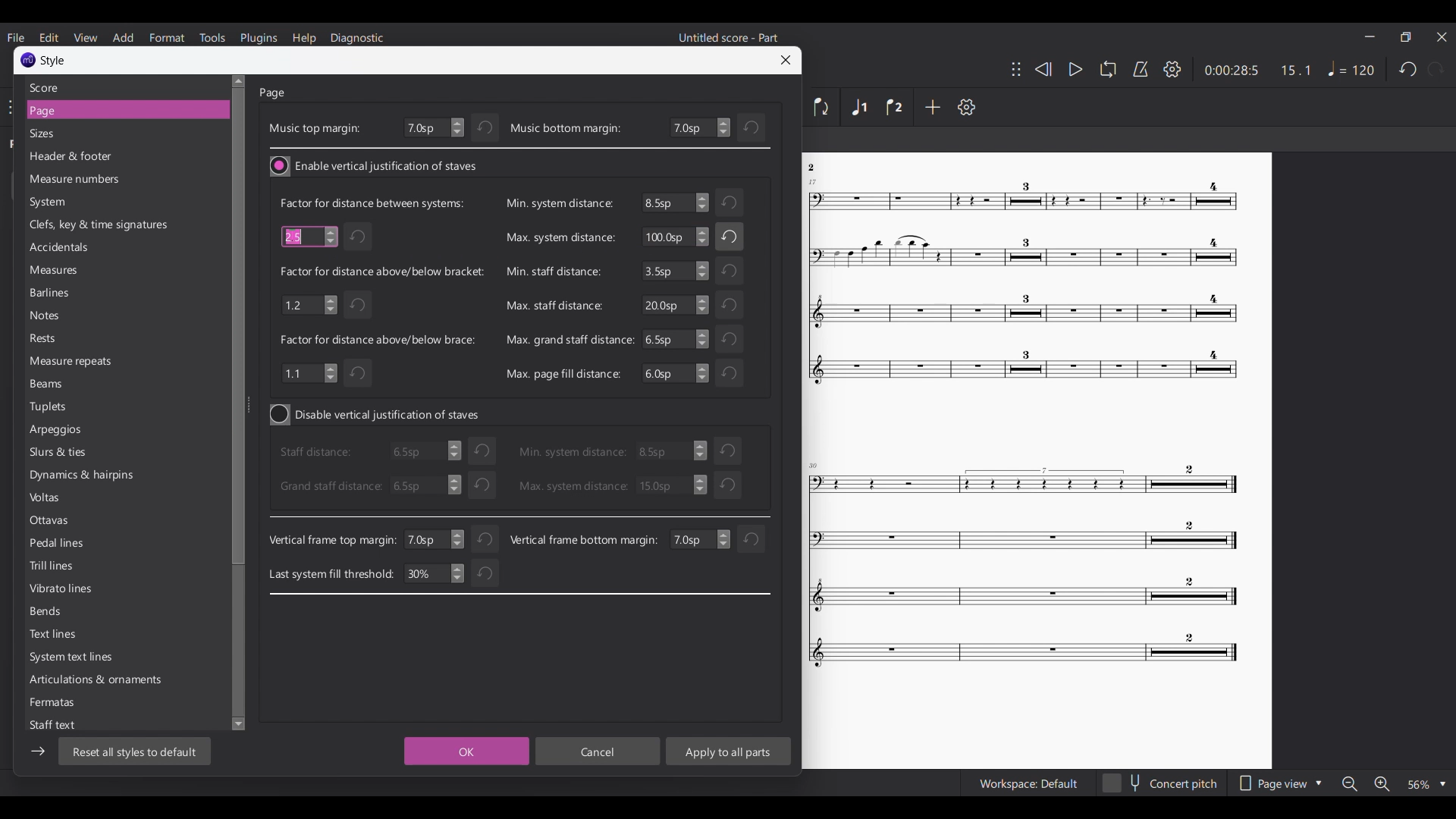  I want to click on , so click(734, 337).